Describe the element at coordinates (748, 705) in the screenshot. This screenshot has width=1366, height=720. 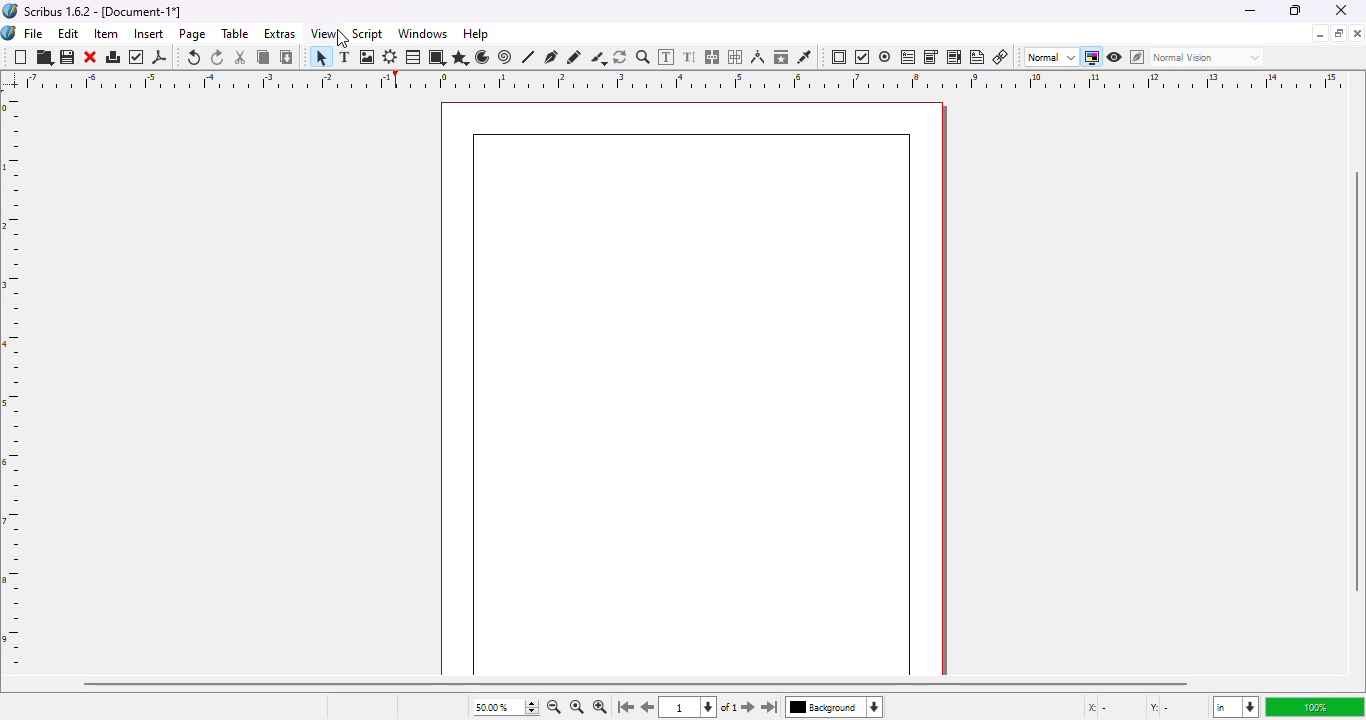
I see `go to the next page` at that location.